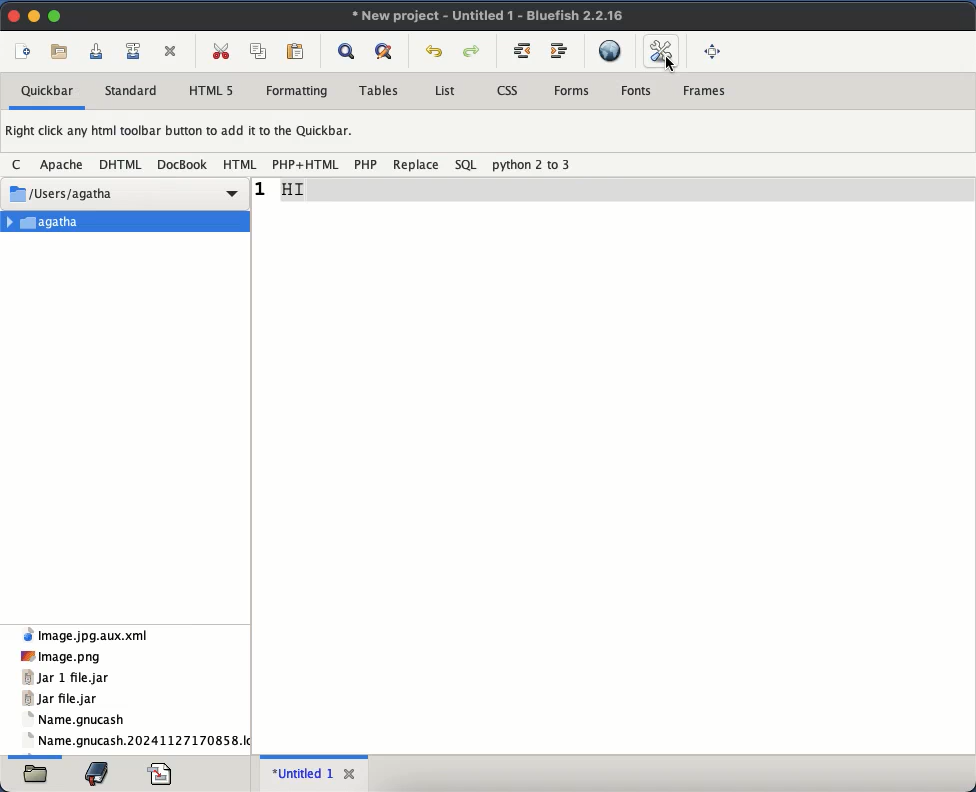  I want to click on copy, so click(261, 49).